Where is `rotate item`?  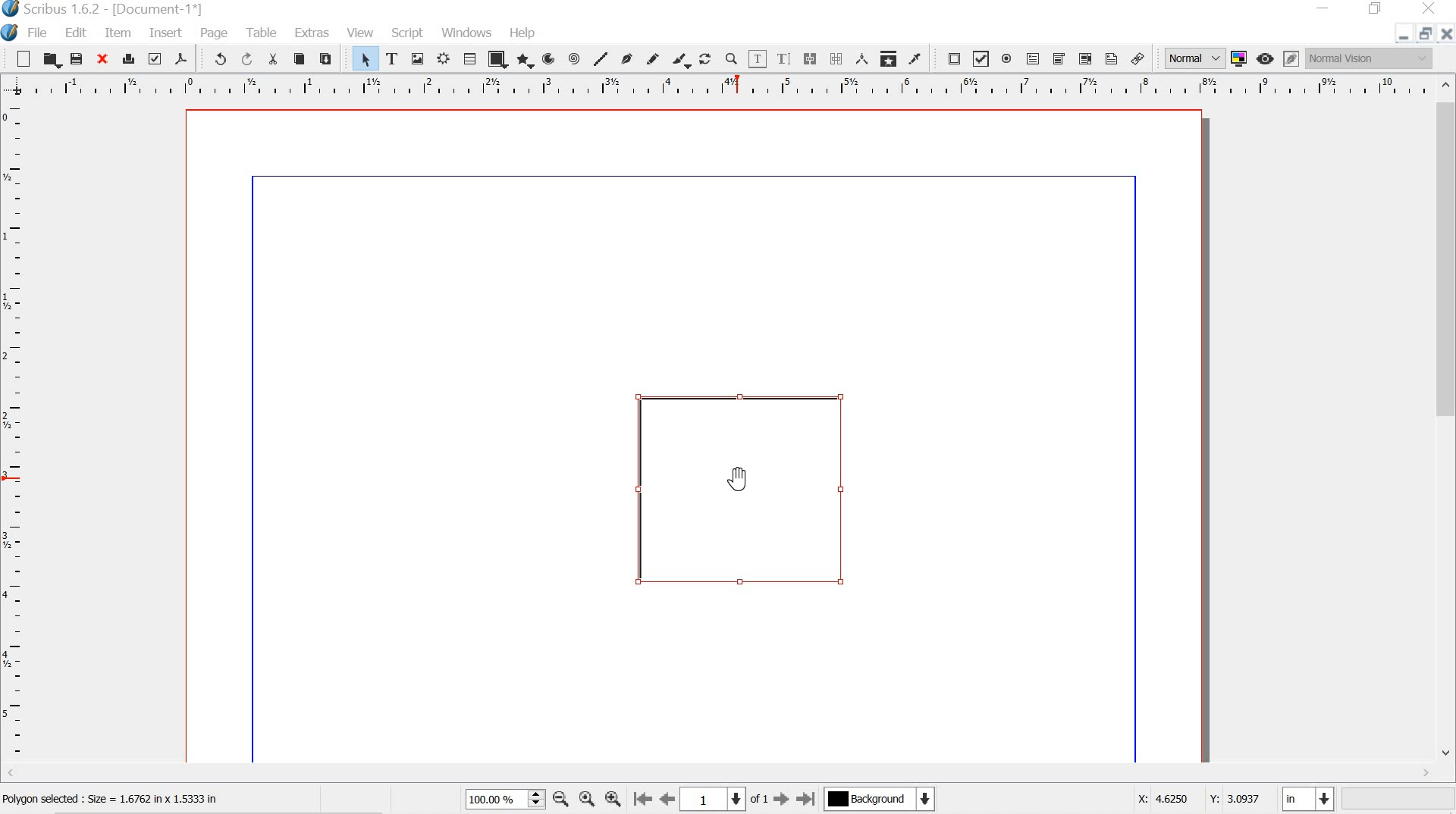
rotate item is located at coordinates (705, 58).